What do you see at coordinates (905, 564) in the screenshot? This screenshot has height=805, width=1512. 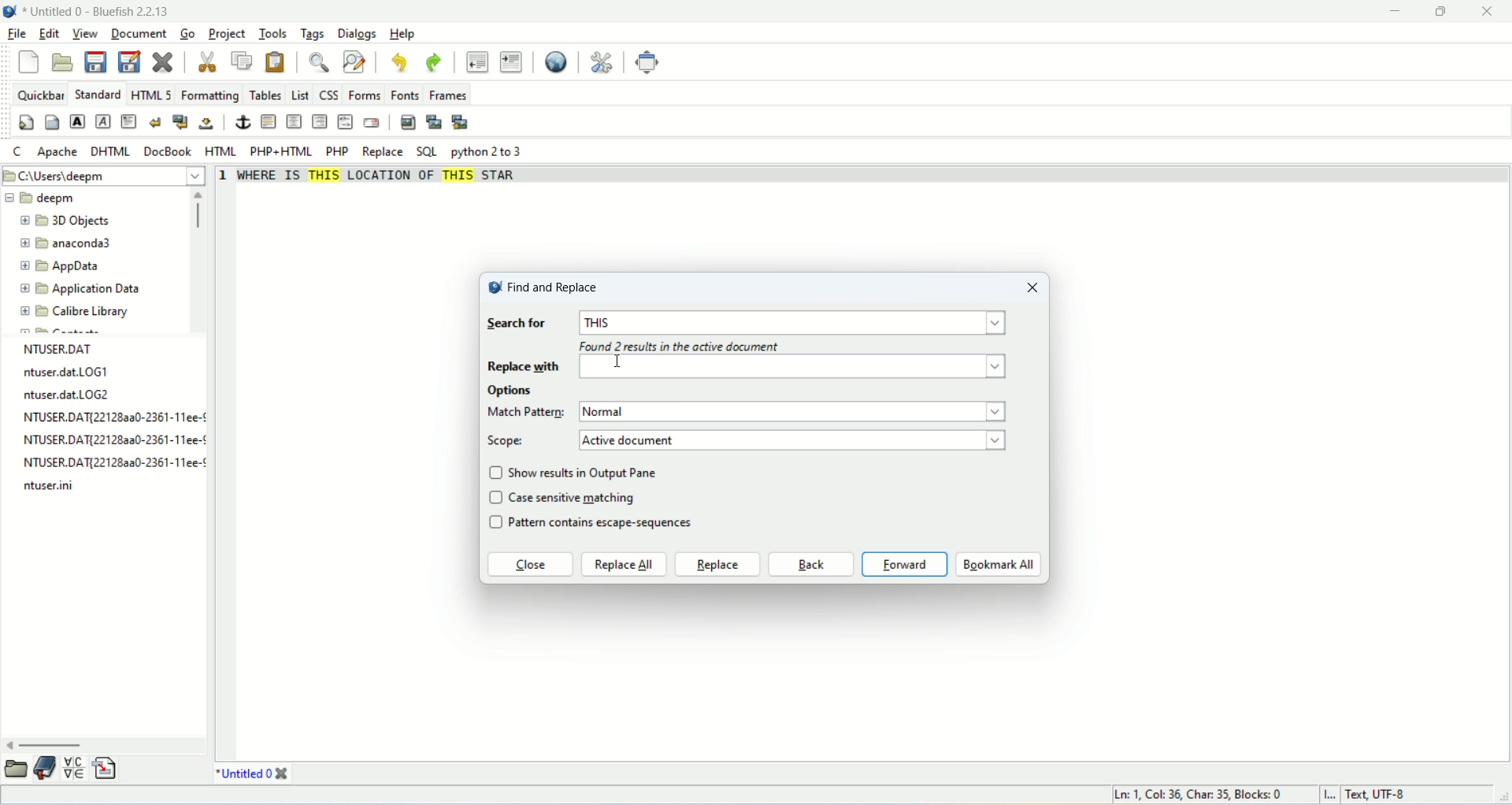 I see `forward` at bounding box center [905, 564].